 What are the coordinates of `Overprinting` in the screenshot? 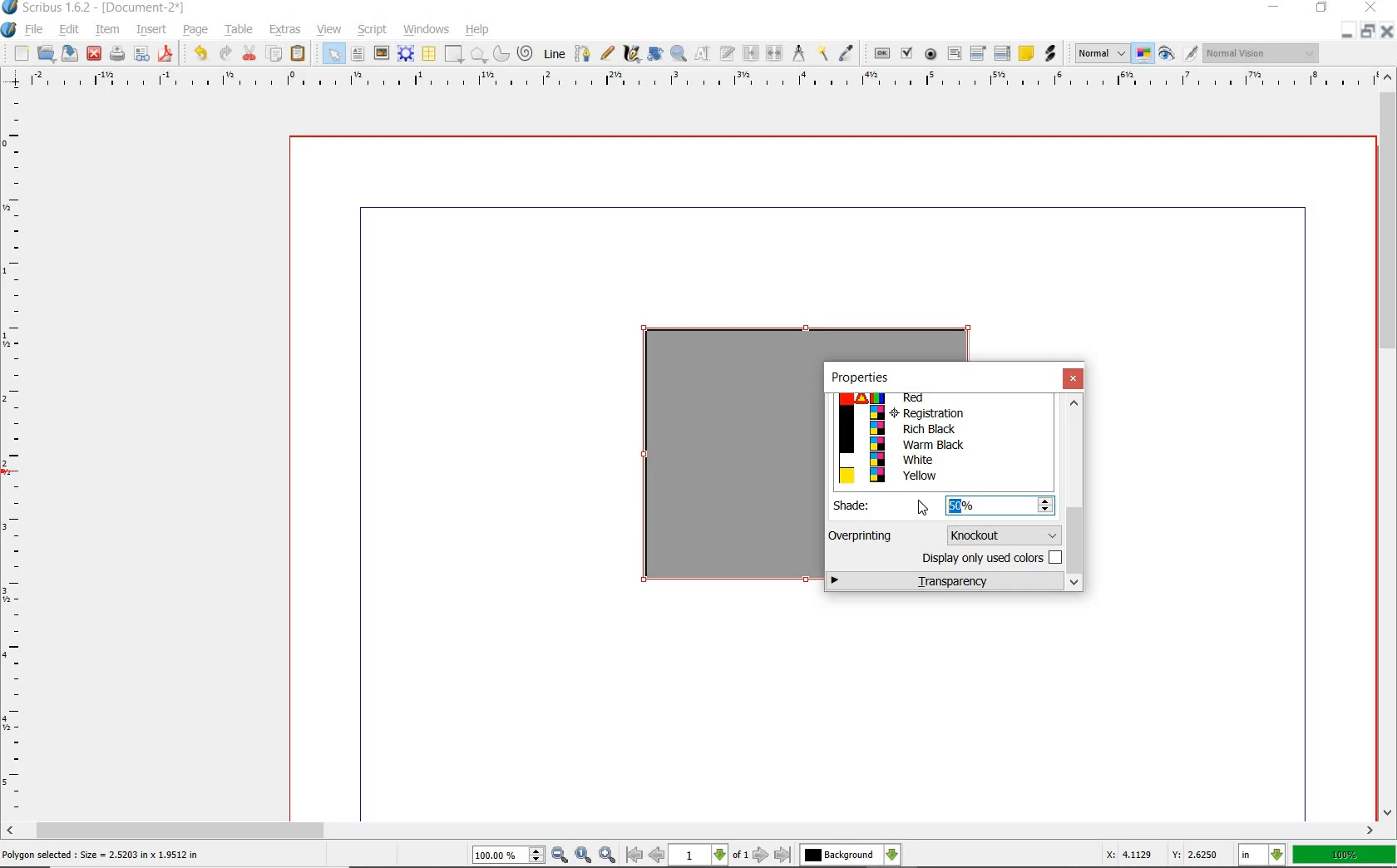 It's located at (862, 535).